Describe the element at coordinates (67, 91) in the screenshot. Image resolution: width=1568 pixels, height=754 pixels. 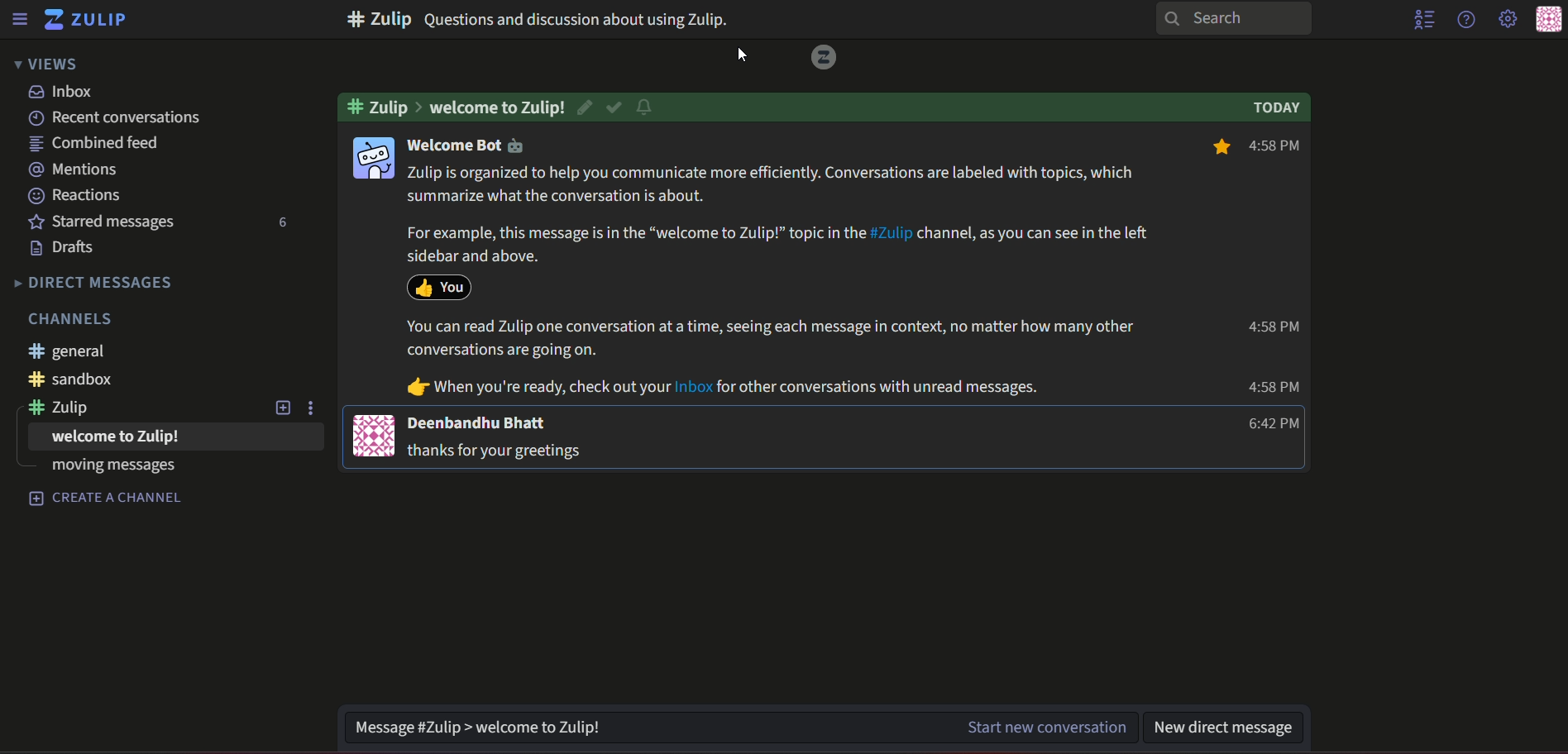
I see `inbox` at that location.